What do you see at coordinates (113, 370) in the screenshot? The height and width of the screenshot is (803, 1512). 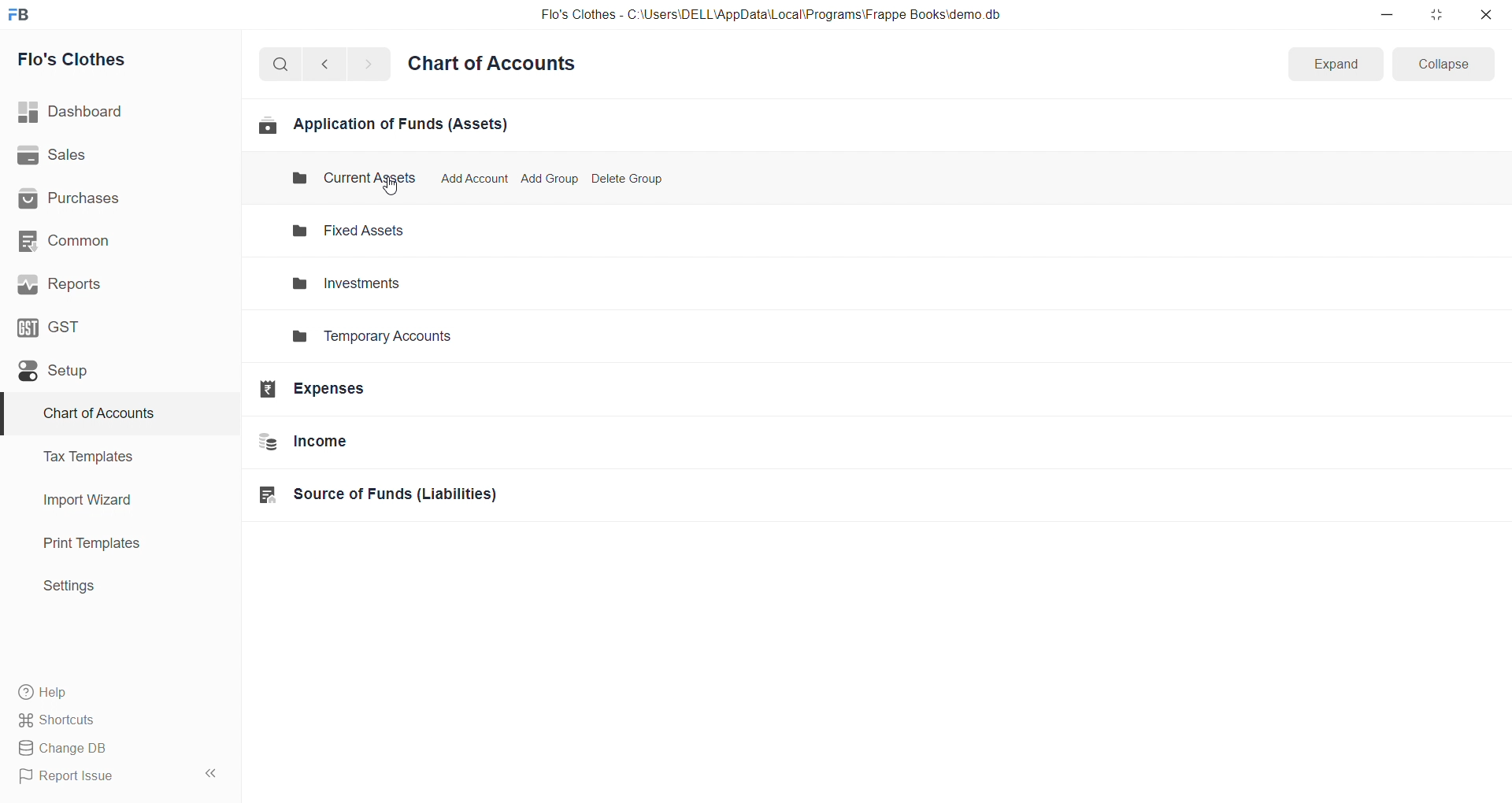 I see `Setup` at bounding box center [113, 370].